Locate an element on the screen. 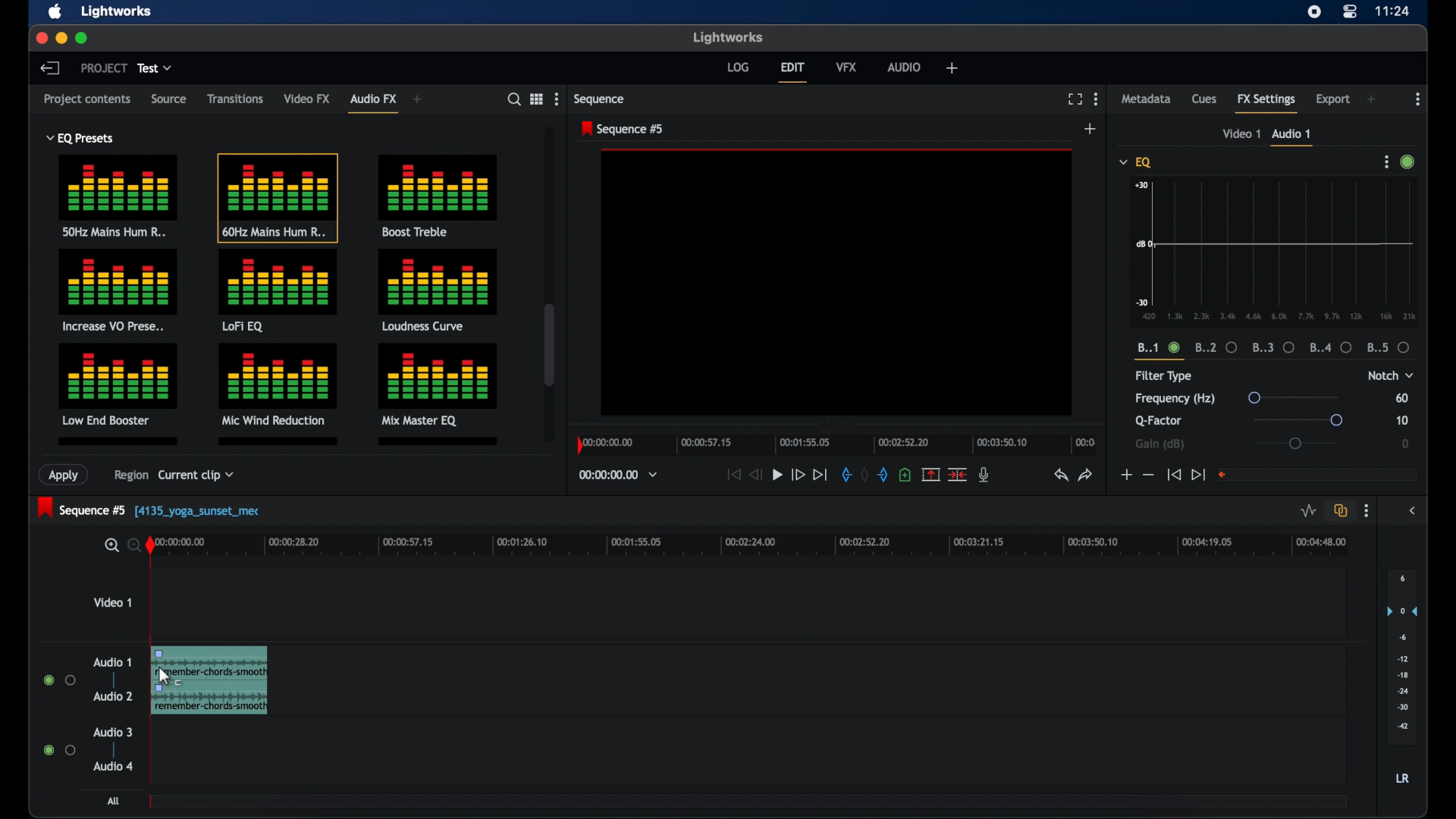 This screenshot has height=819, width=1456. transitions is located at coordinates (235, 99).